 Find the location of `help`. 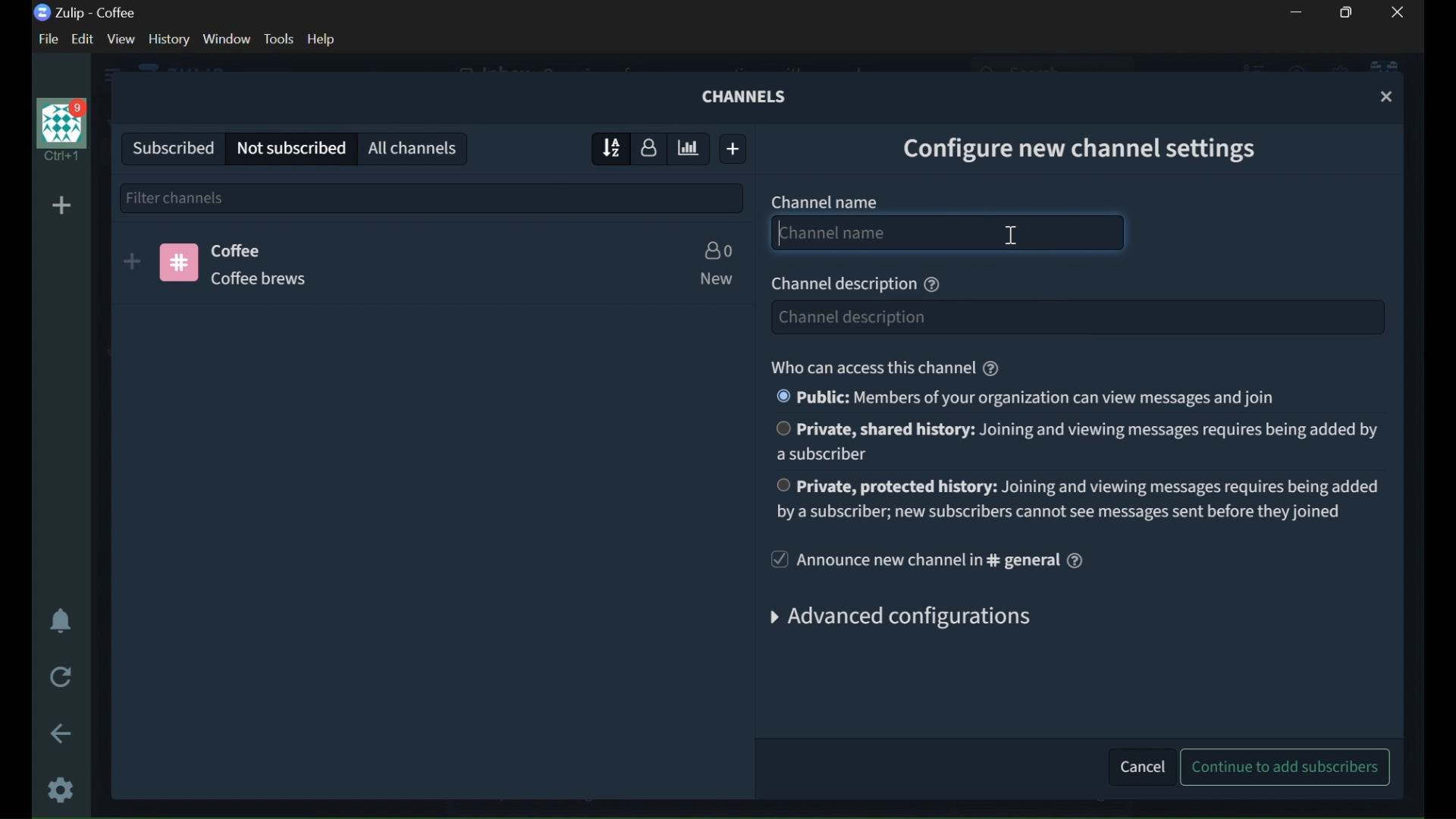

help is located at coordinates (322, 39).